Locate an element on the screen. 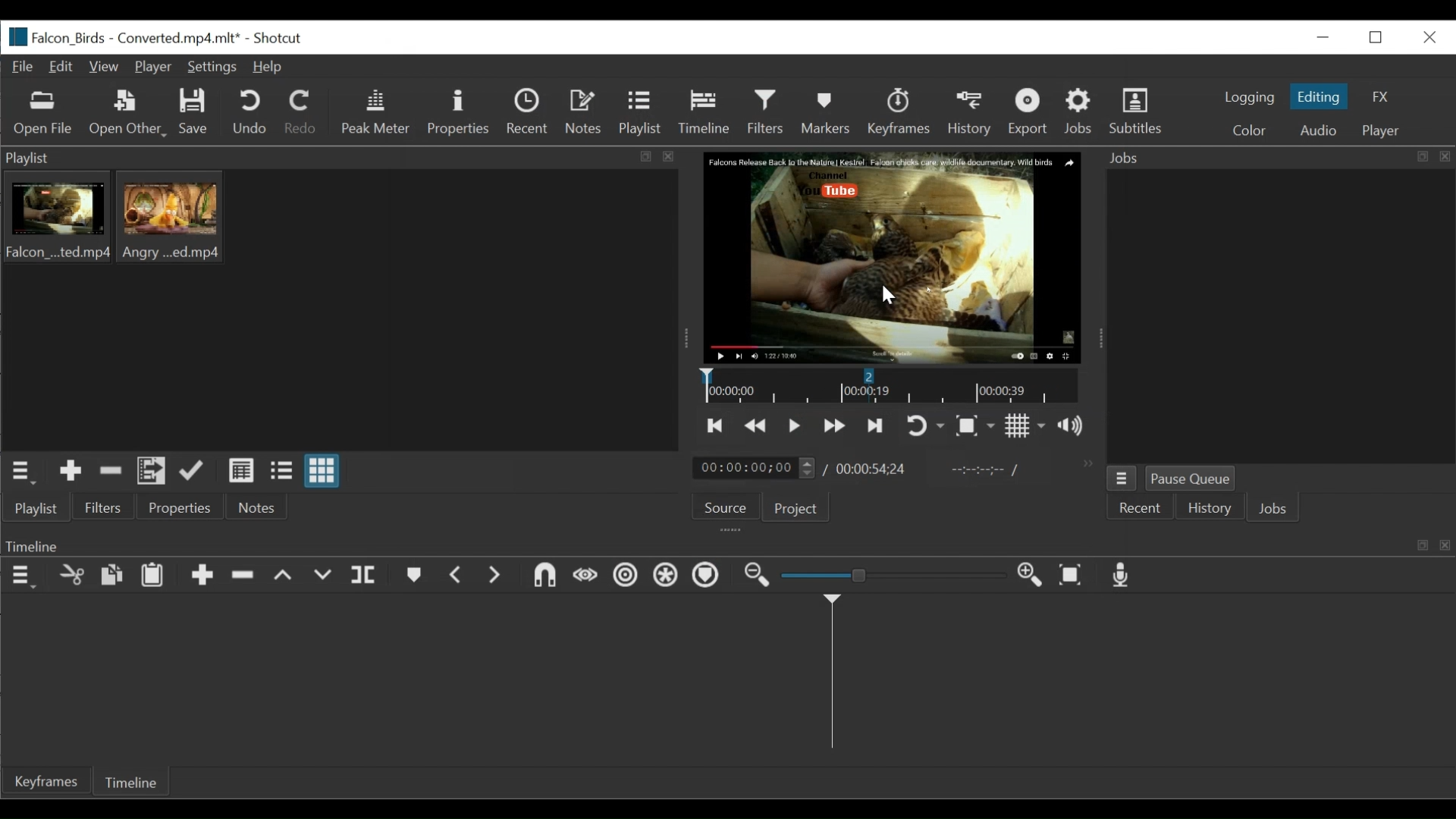 The height and width of the screenshot is (819, 1456). Settings is located at coordinates (212, 68).